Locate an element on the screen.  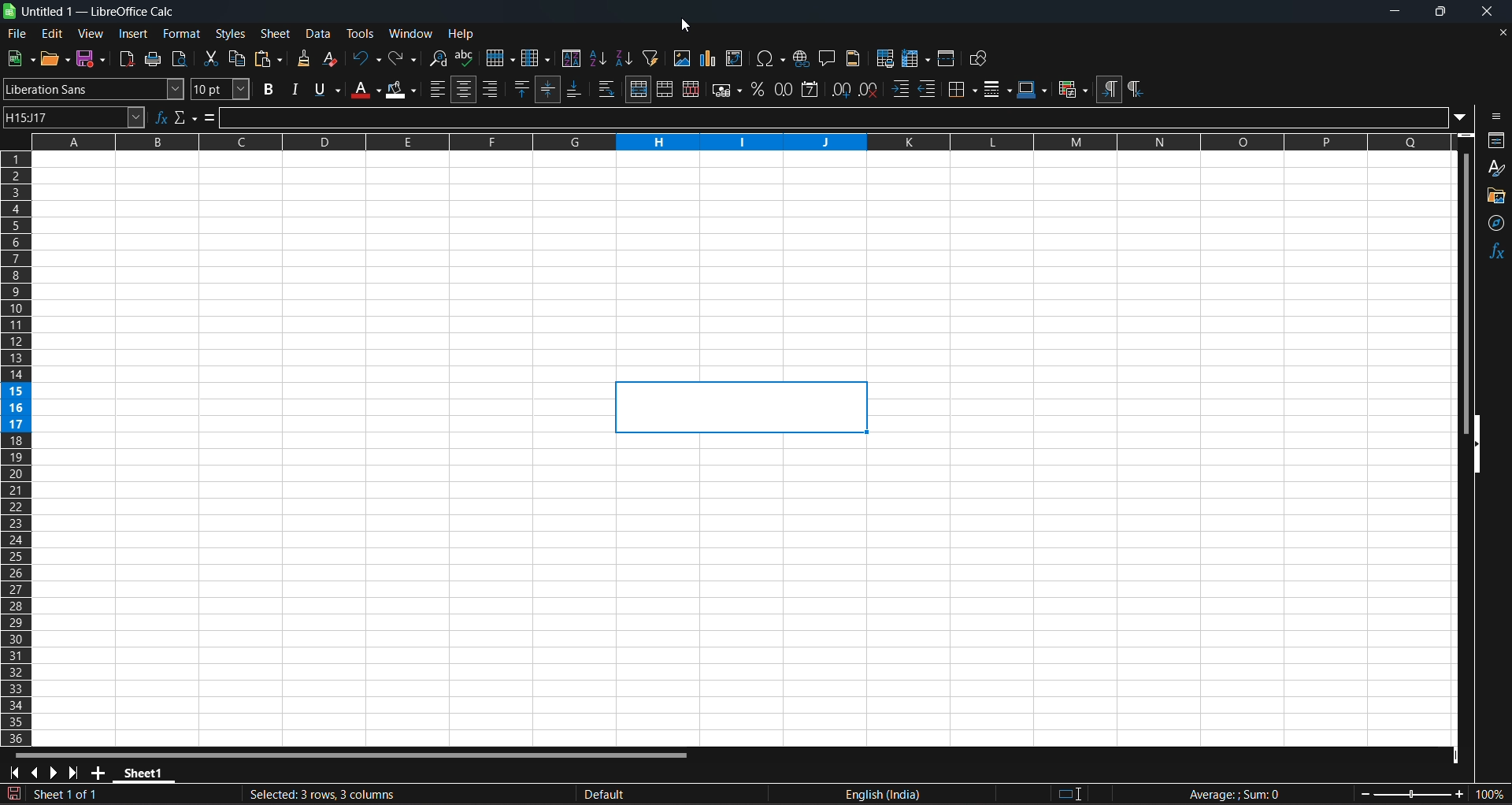
bold is located at coordinates (264, 90).